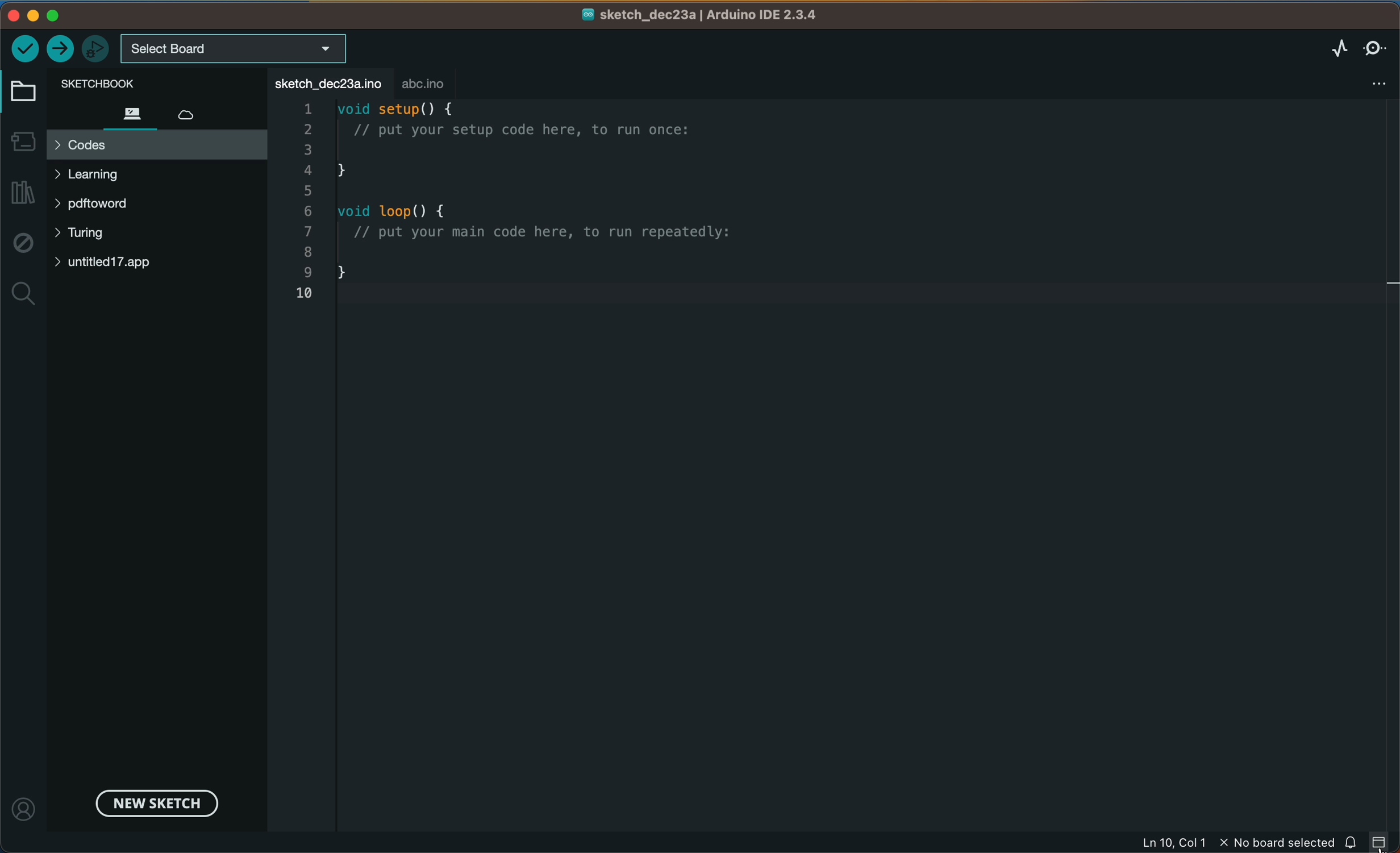 The width and height of the screenshot is (1400, 853). Describe the element at coordinates (92, 234) in the screenshot. I see `turing` at that location.